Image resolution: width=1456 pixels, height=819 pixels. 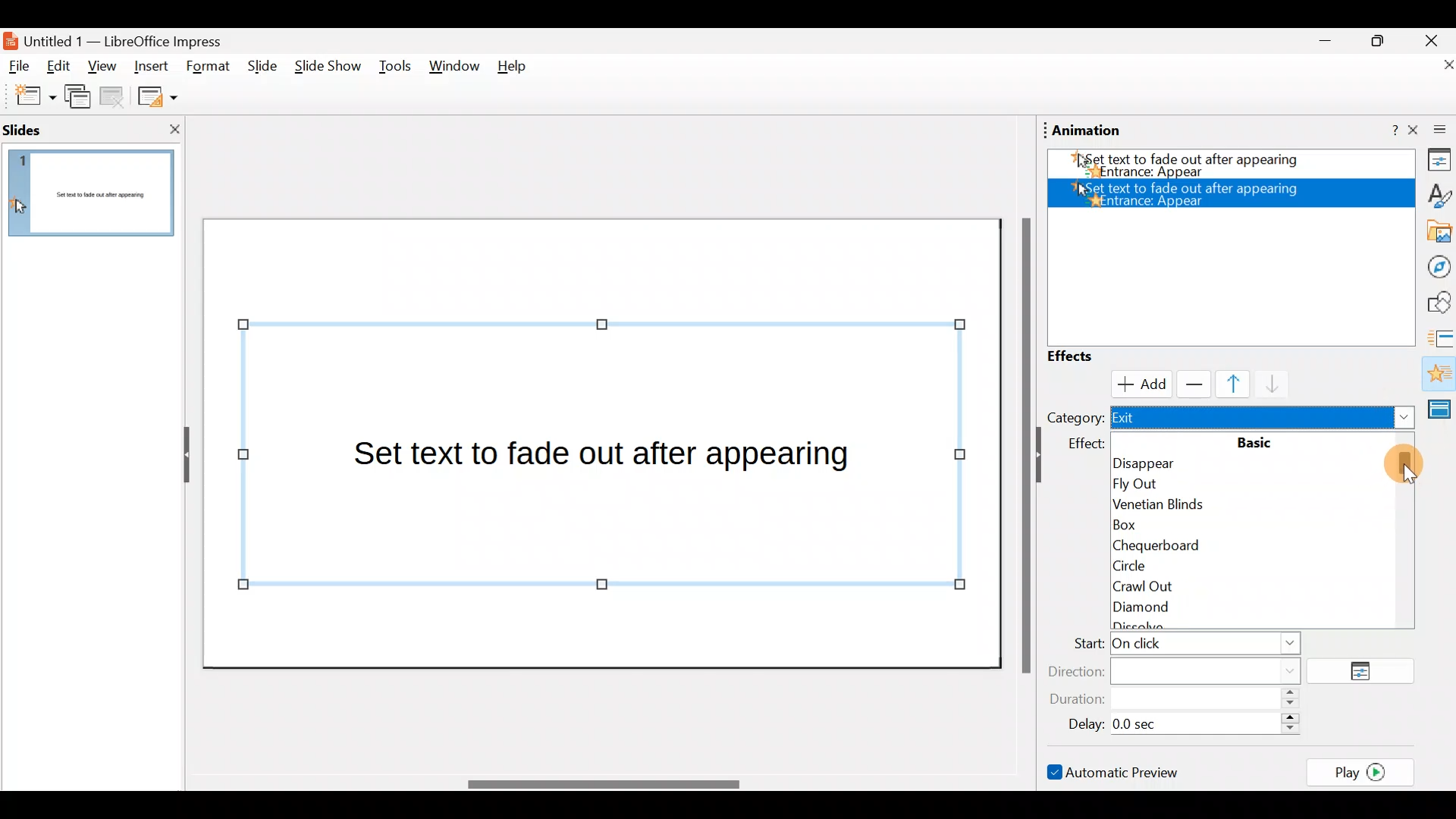 What do you see at coordinates (1023, 444) in the screenshot?
I see `Scroll bar` at bounding box center [1023, 444].